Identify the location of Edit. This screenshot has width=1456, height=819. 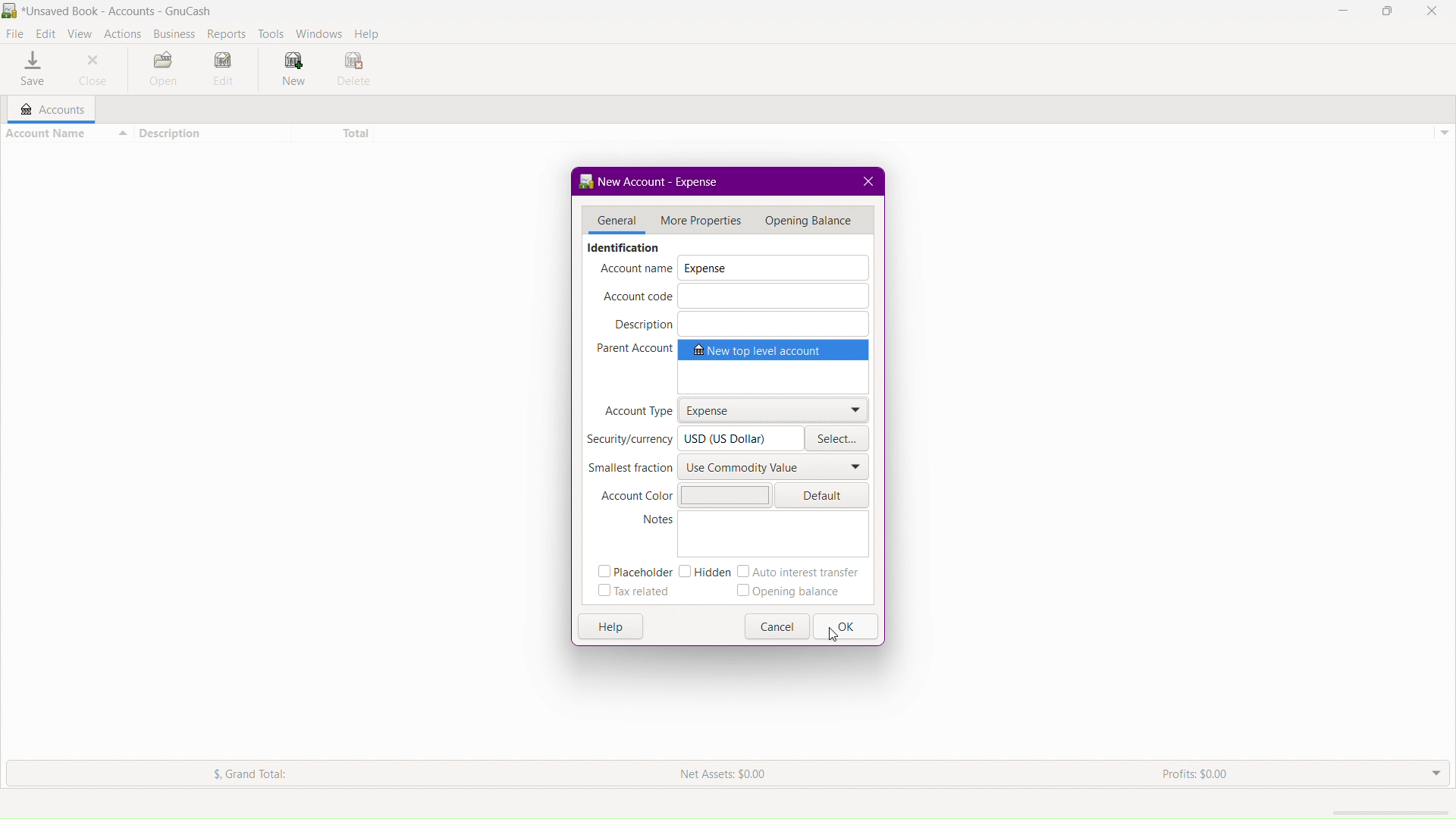
(49, 32).